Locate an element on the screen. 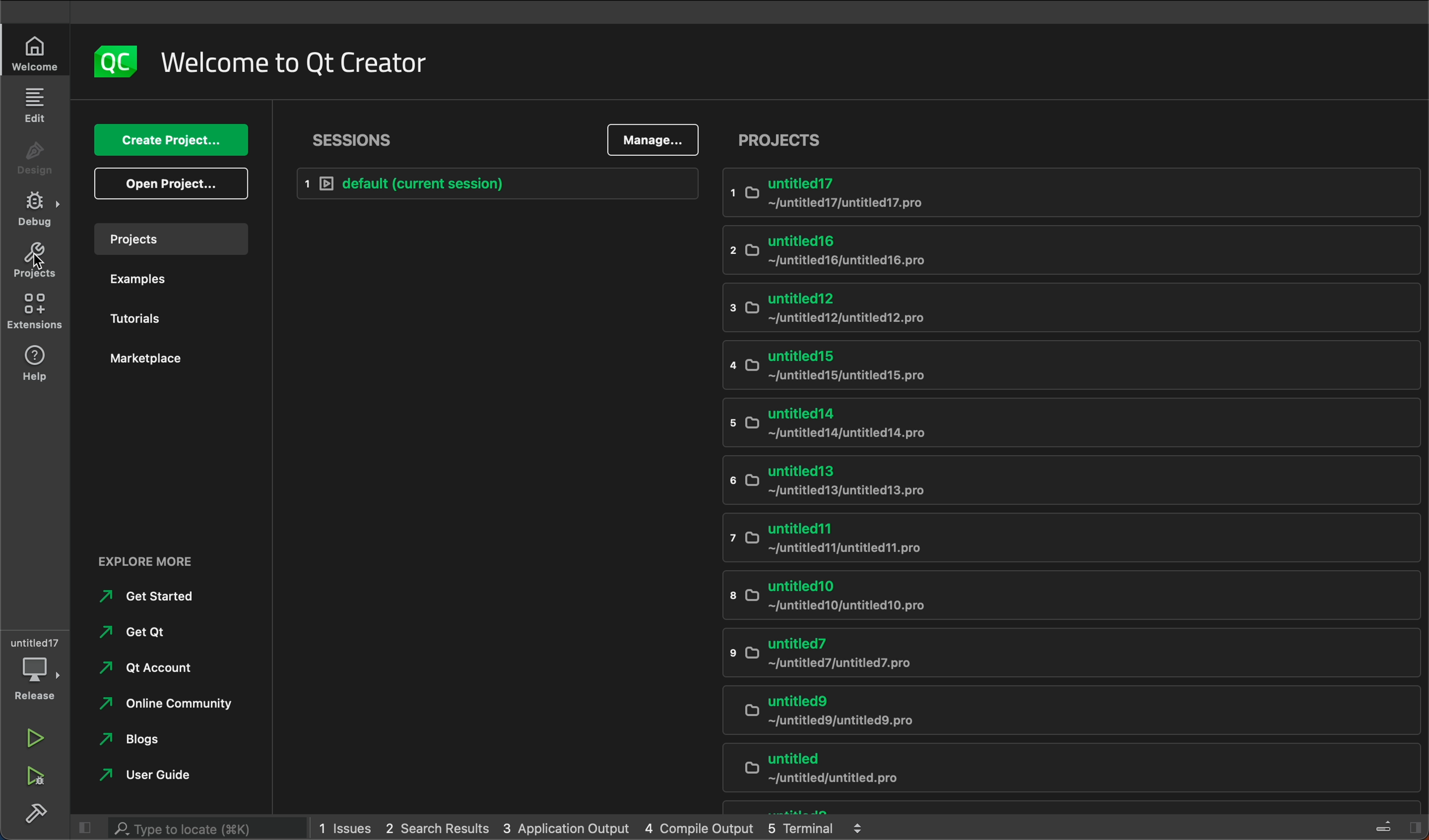 The height and width of the screenshot is (840, 1429). Tutorial  is located at coordinates (170, 317).